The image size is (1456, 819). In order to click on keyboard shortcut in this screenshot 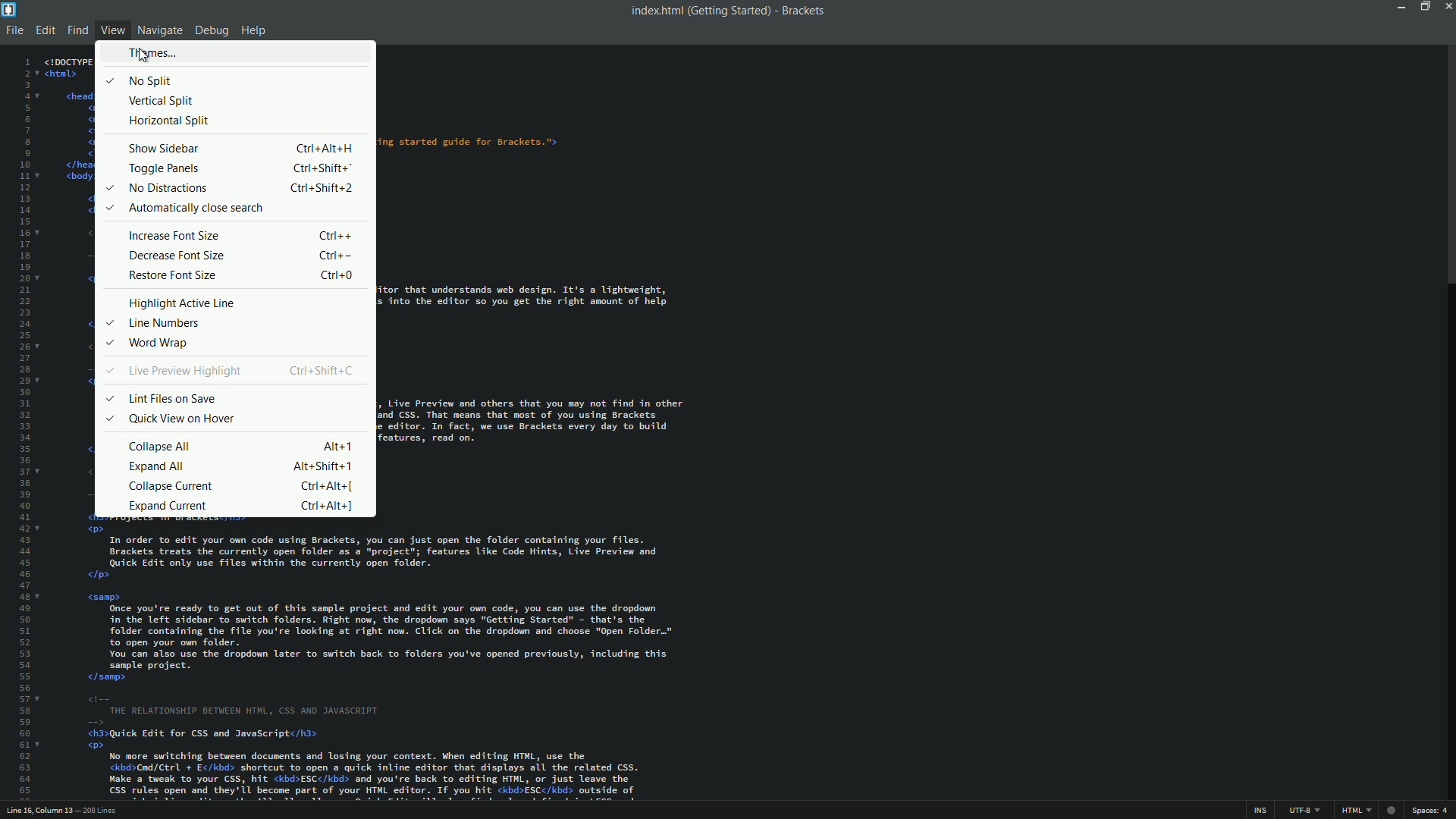, I will do `click(336, 447)`.